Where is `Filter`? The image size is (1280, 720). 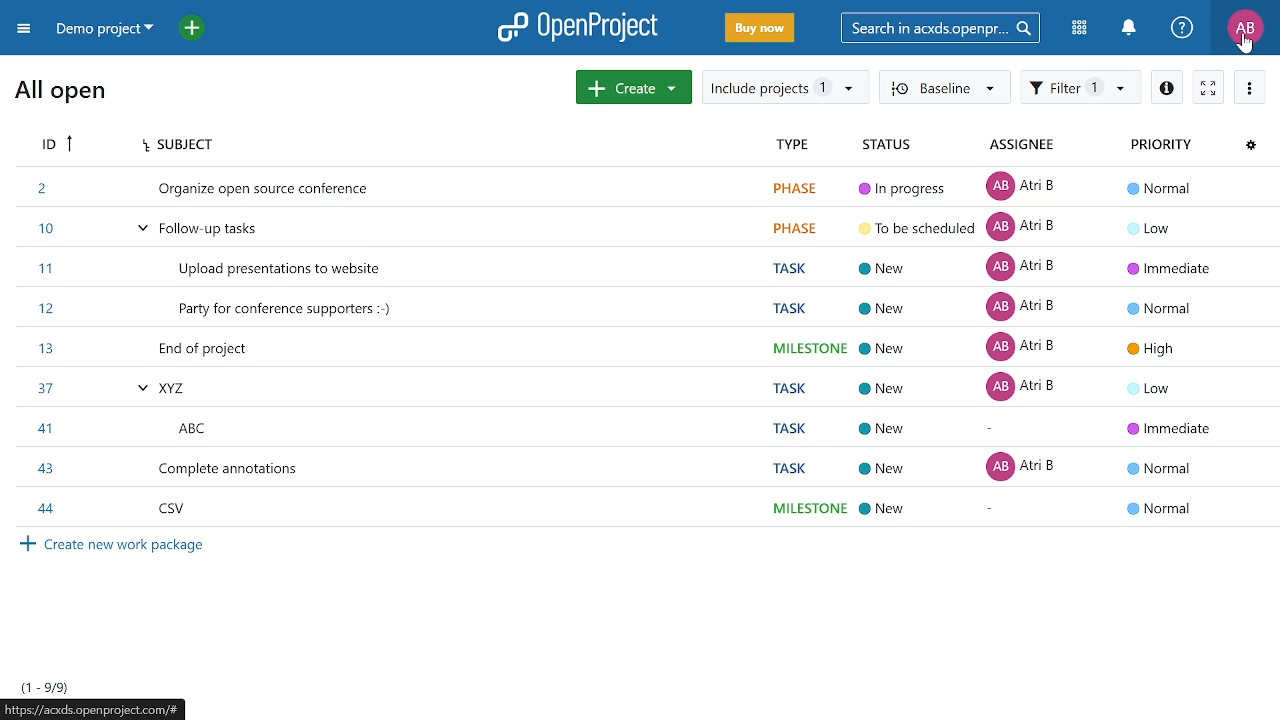 Filter is located at coordinates (1080, 88).